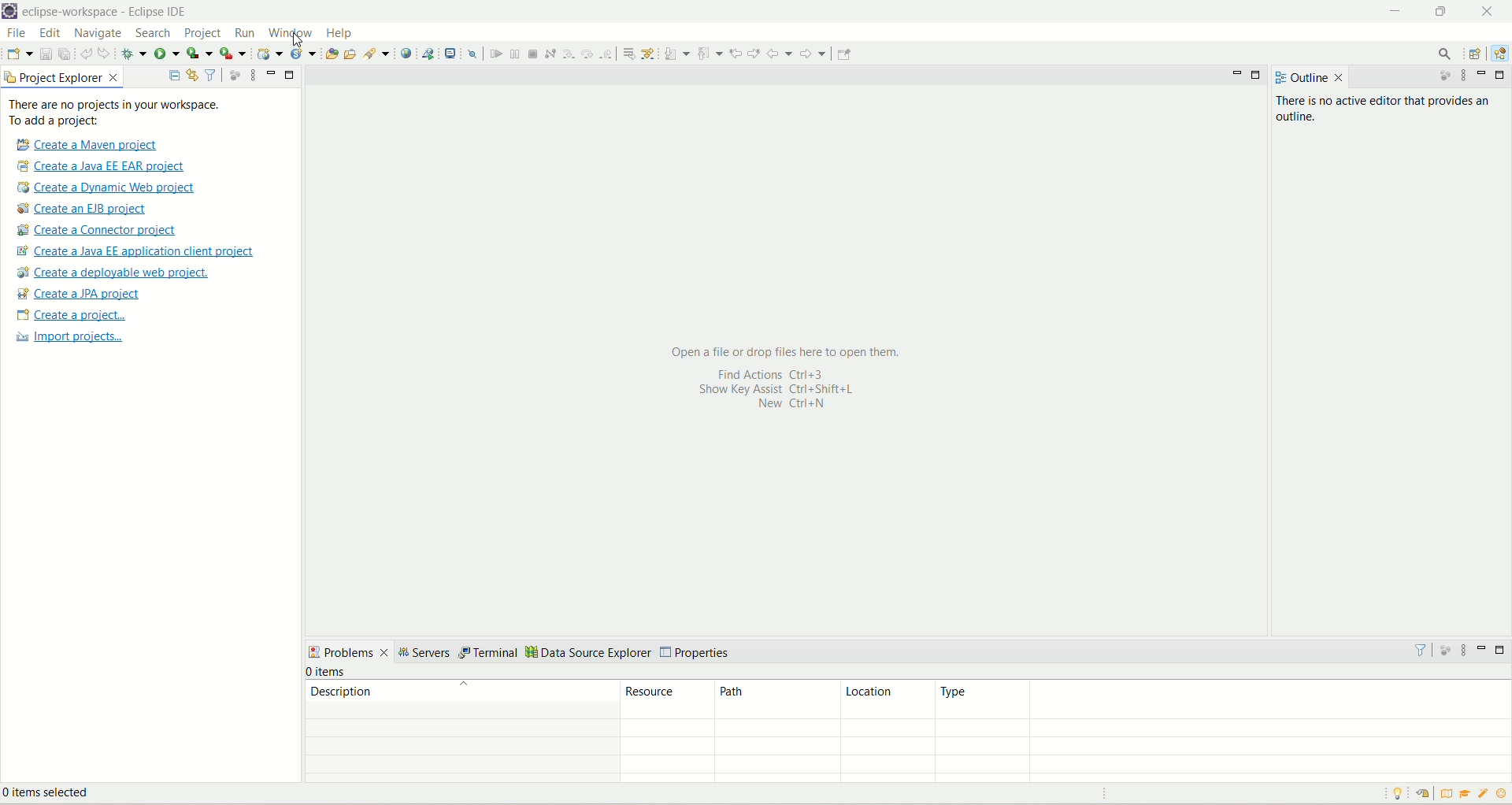 The image size is (1512, 805). What do you see at coordinates (67, 339) in the screenshot?
I see `import projects` at bounding box center [67, 339].